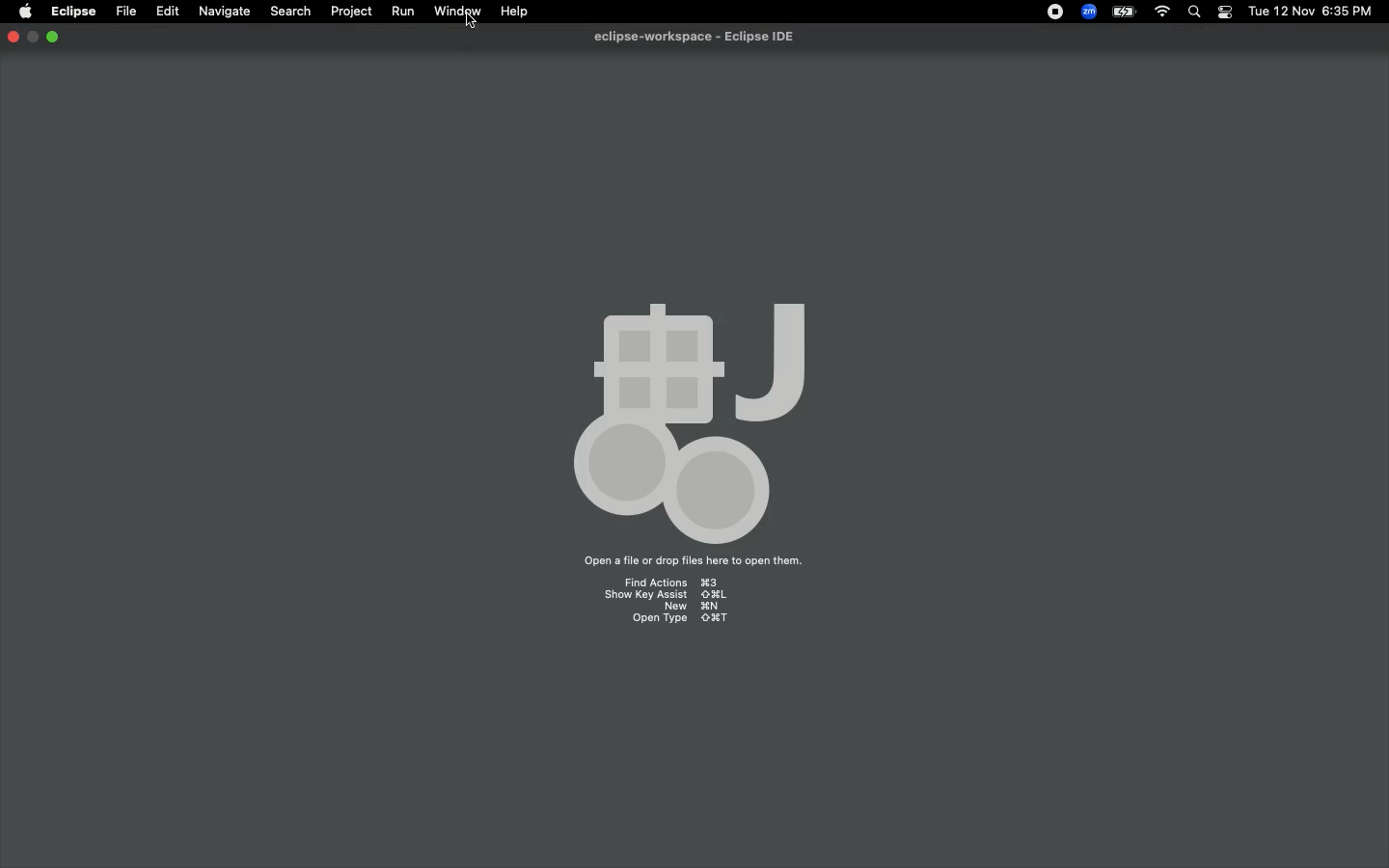 The width and height of the screenshot is (1389, 868). I want to click on Help, so click(516, 12).